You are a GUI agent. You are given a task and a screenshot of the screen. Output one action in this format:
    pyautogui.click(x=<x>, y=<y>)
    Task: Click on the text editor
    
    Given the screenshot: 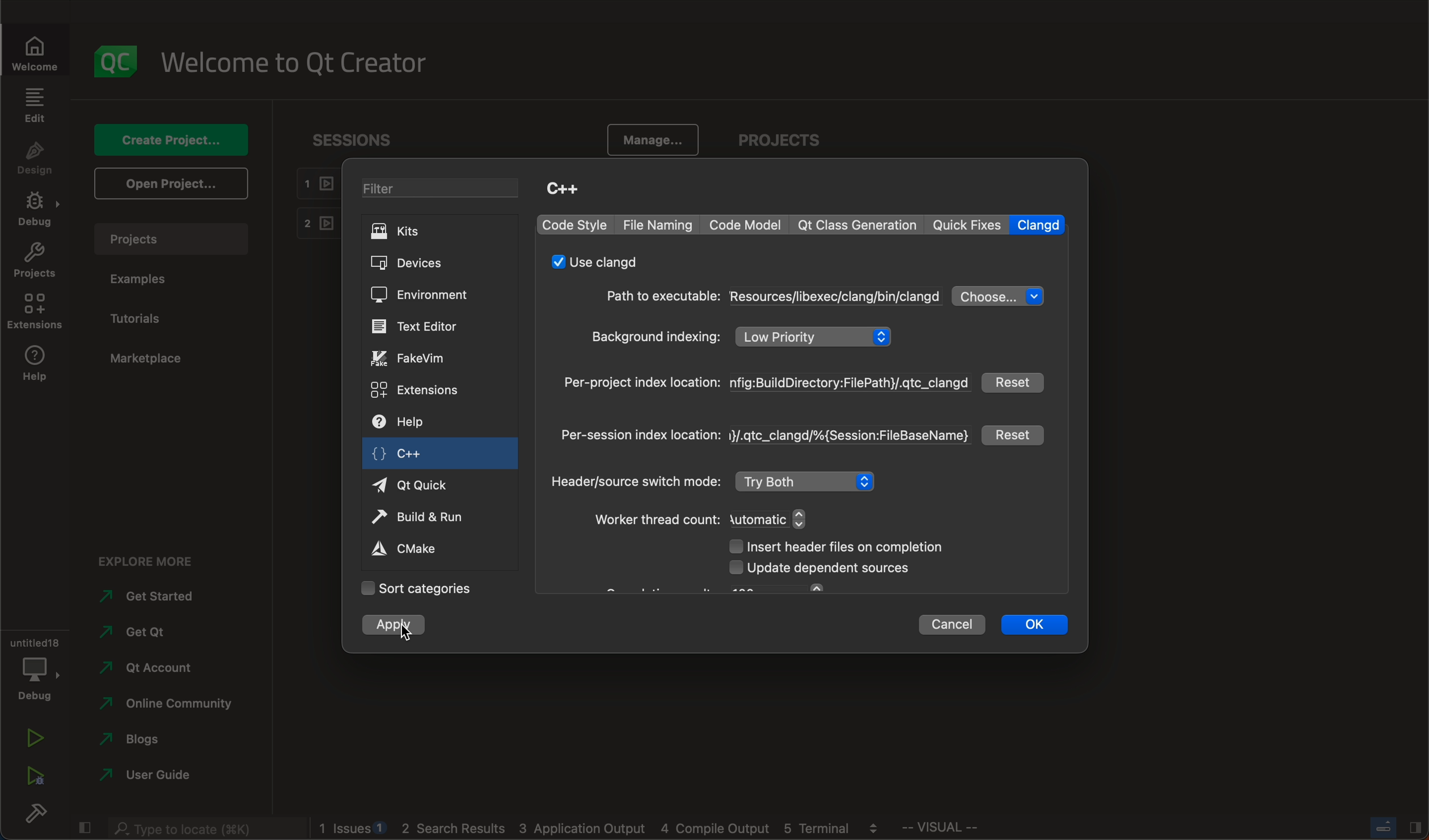 What is the action you would take?
    pyautogui.click(x=431, y=327)
    